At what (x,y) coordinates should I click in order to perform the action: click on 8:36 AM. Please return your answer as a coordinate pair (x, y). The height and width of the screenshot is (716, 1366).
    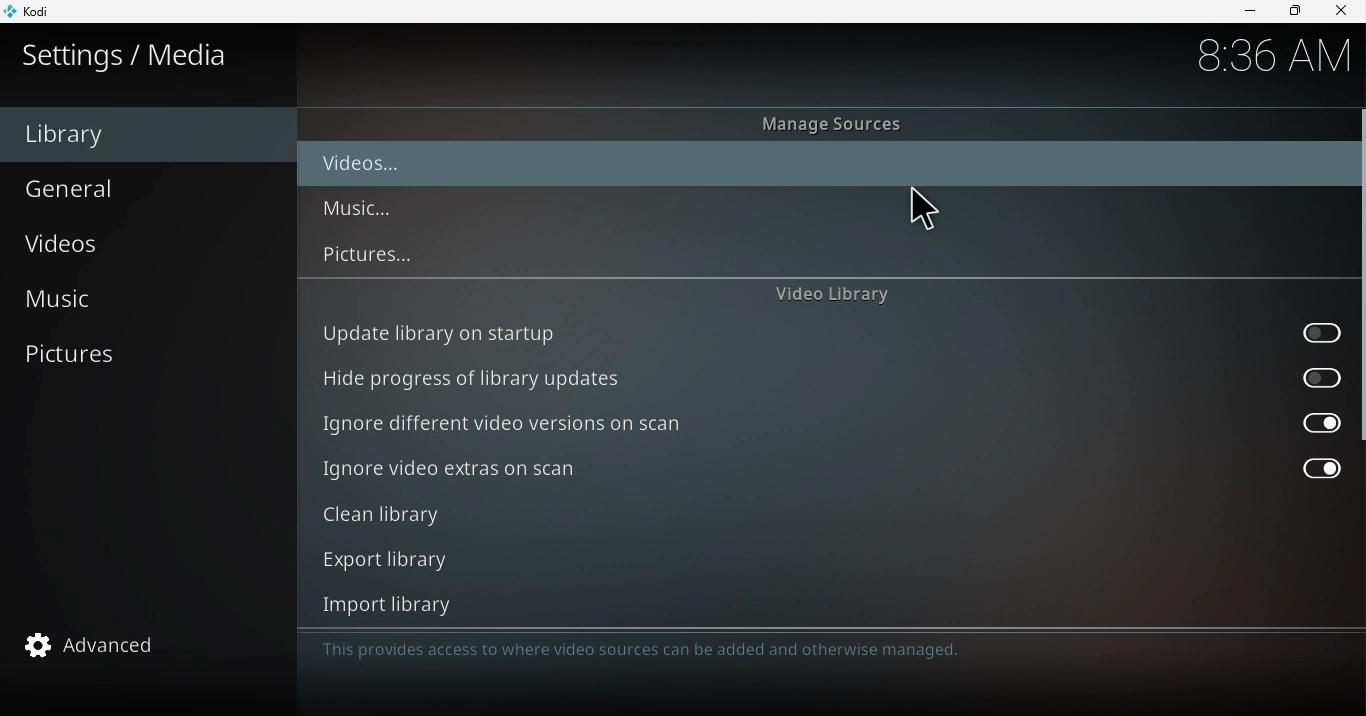
    Looking at the image, I should click on (1267, 57).